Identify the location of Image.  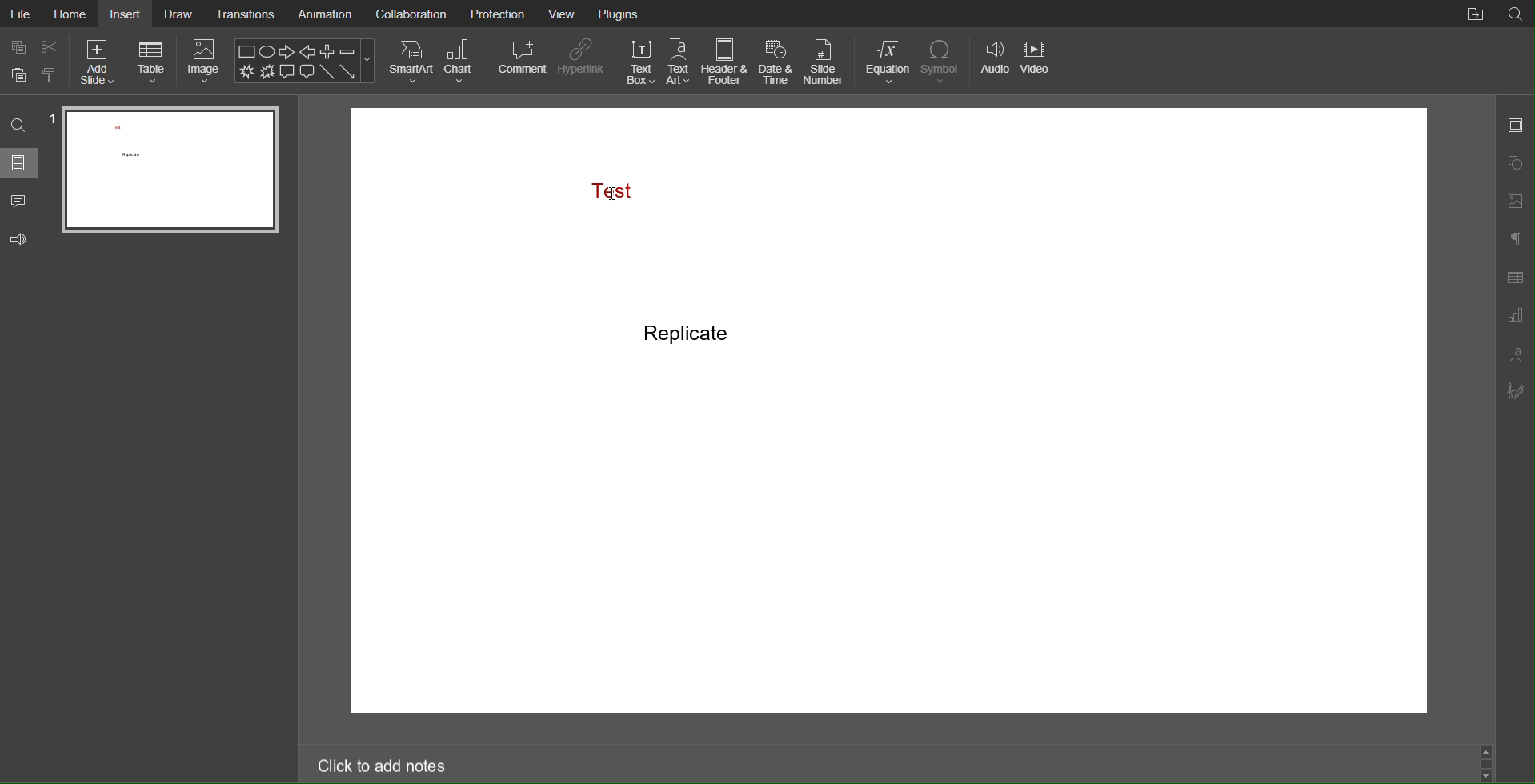
(206, 62).